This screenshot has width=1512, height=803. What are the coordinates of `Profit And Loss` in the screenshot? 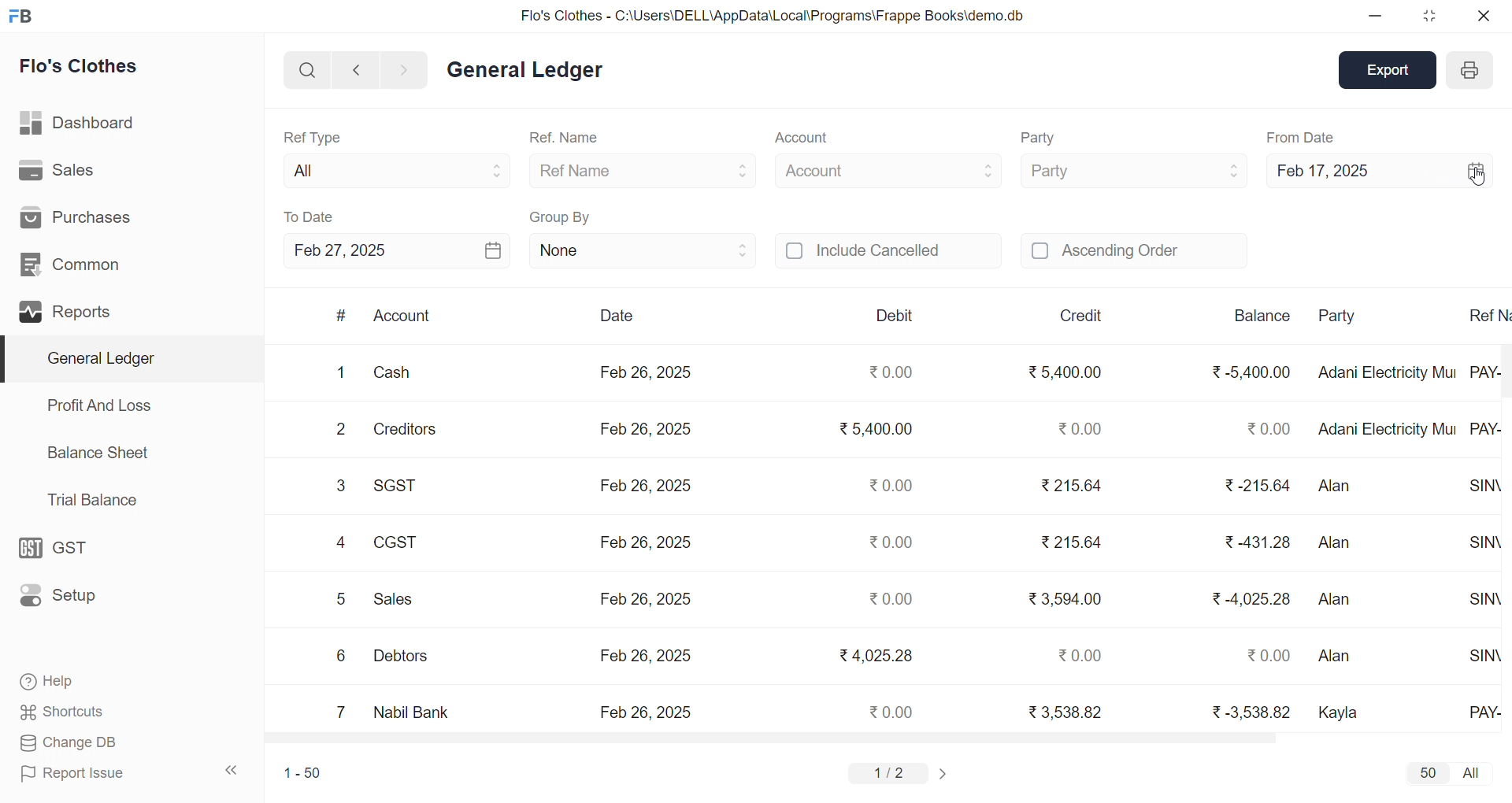 It's located at (98, 405).